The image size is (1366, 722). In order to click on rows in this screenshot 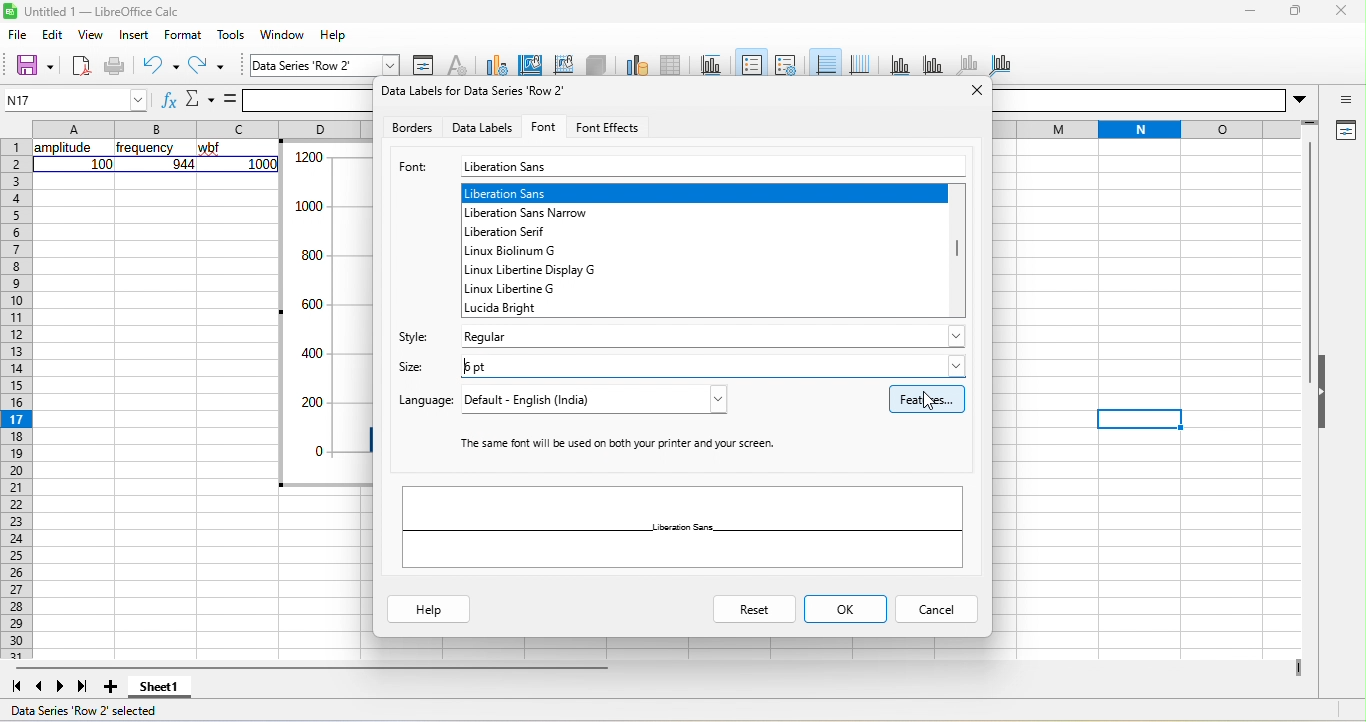, I will do `click(15, 399)`.